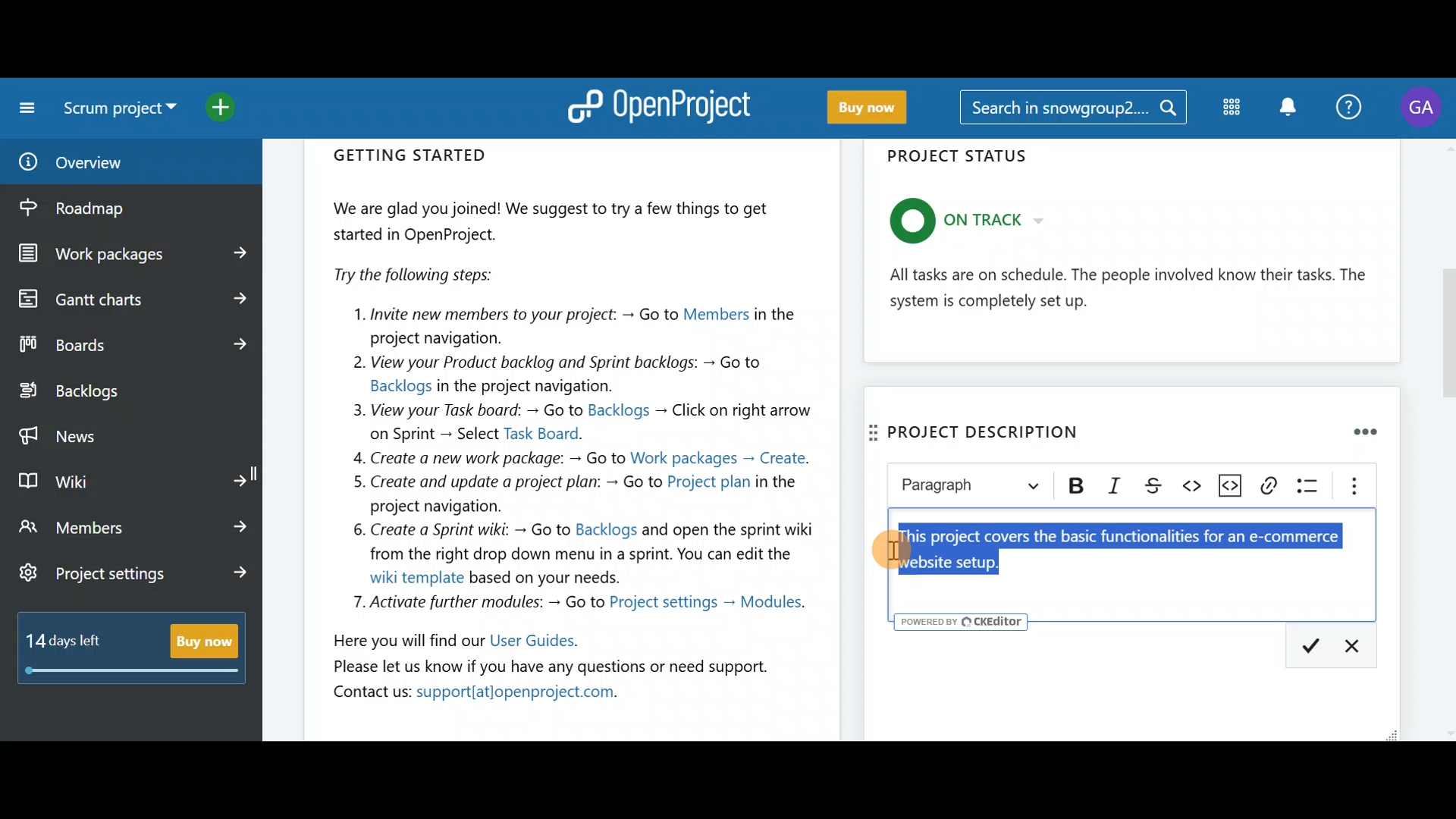  Describe the element at coordinates (1359, 642) in the screenshot. I see `Description: Cancel` at that location.